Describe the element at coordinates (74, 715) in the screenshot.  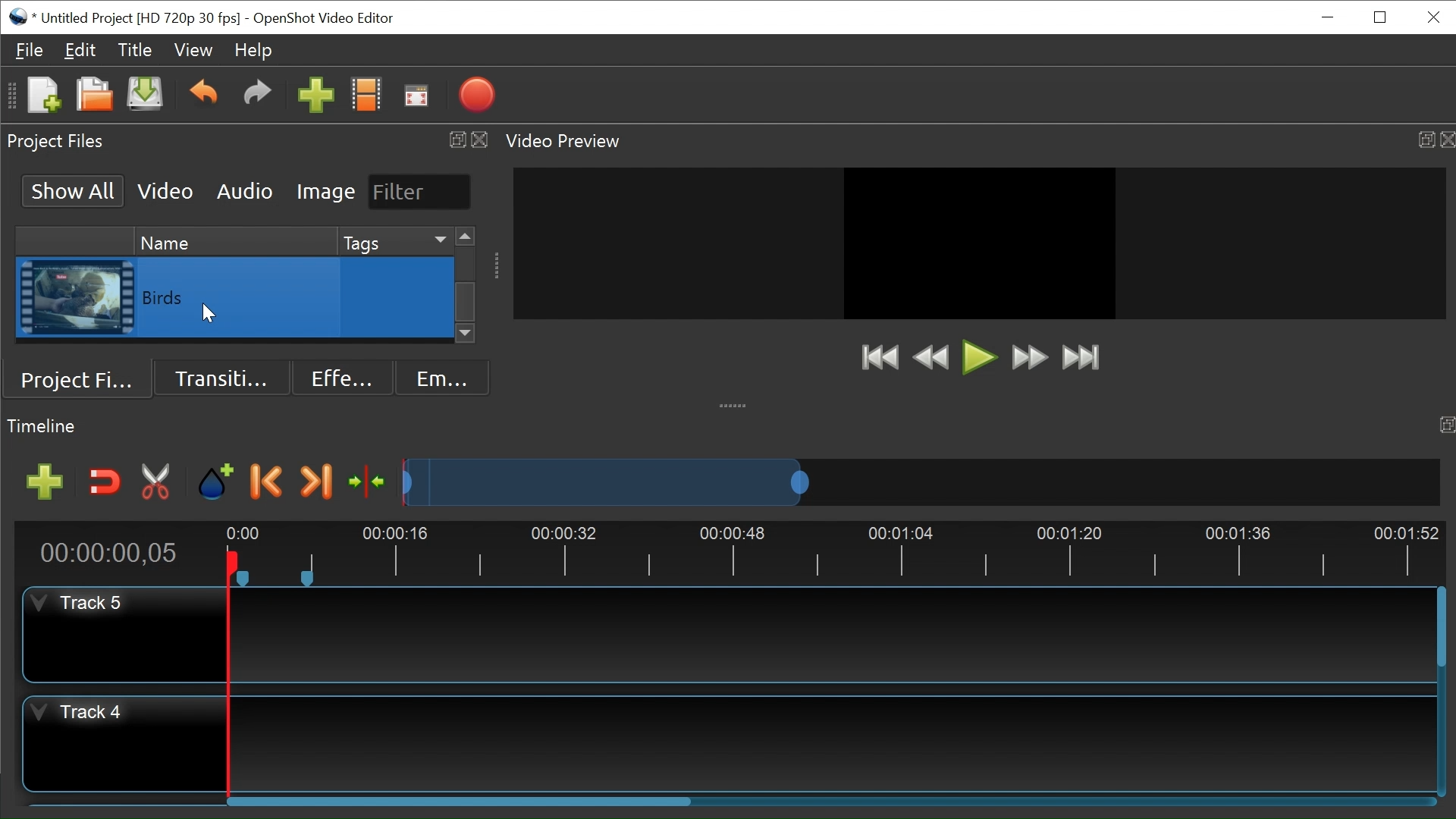
I see `Track Header` at that location.